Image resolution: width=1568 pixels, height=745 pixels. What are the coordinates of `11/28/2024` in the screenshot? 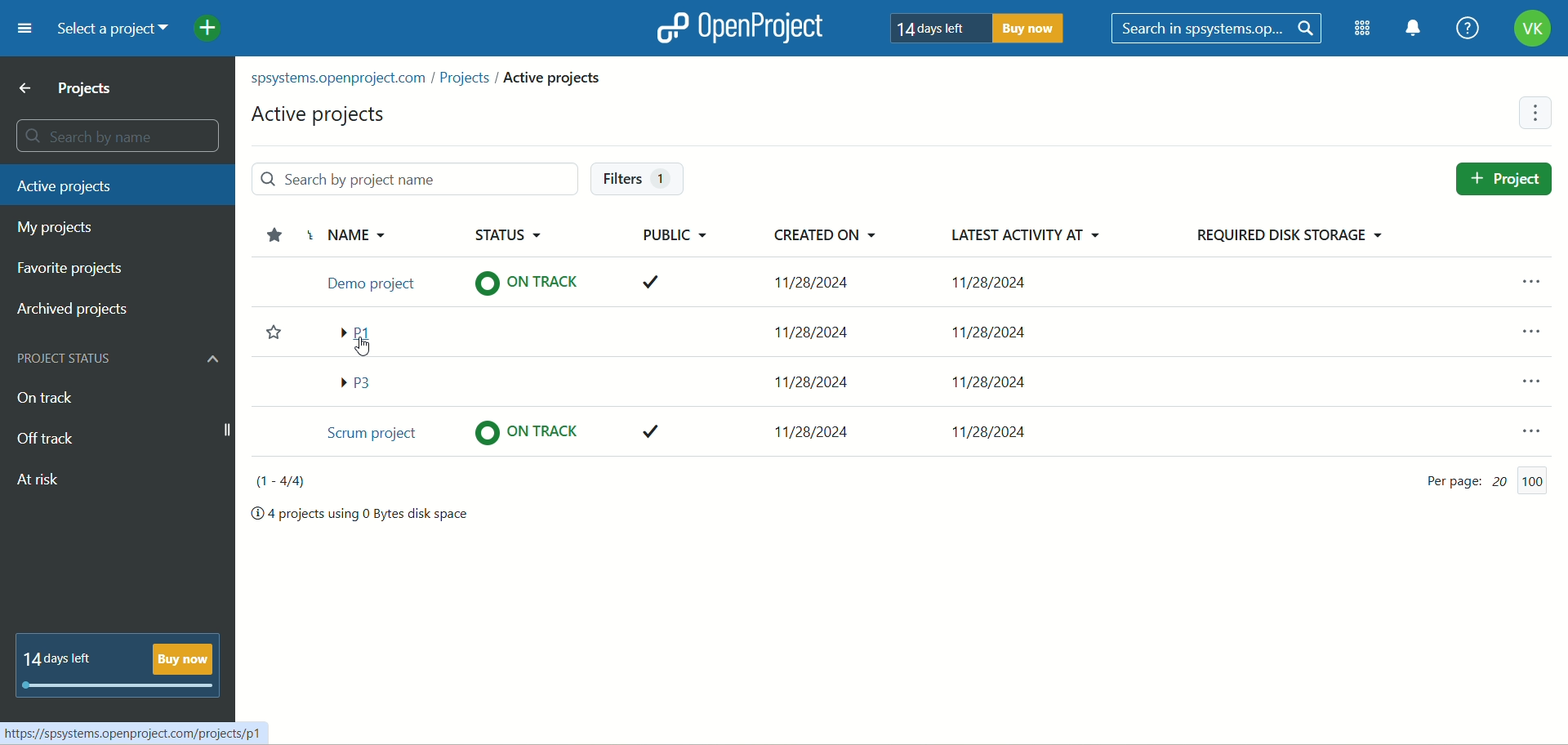 It's located at (996, 281).